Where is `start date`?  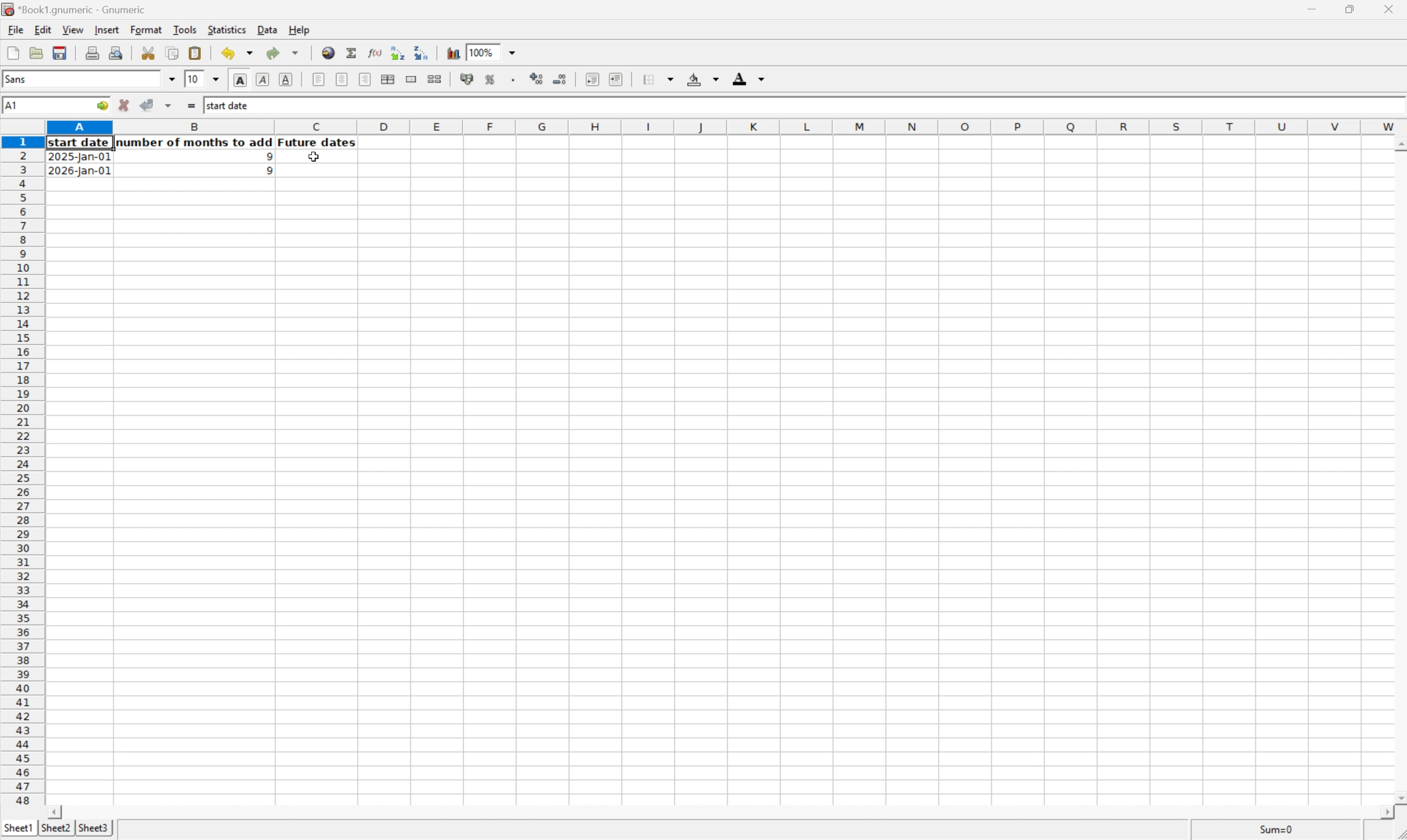
start date is located at coordinates (230, 104).